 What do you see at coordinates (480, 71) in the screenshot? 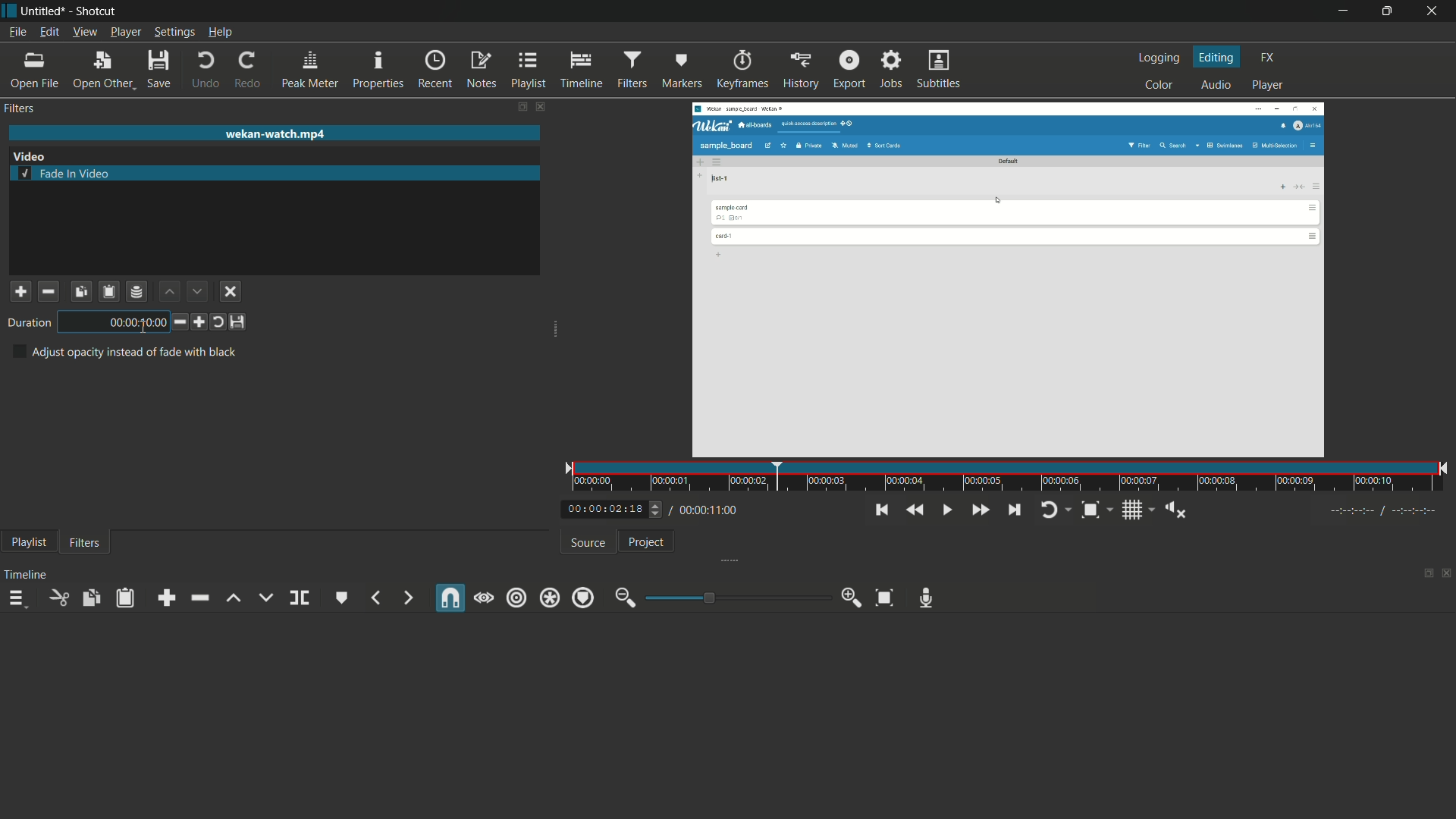
I see `notes` at bounding box center [480, 71].